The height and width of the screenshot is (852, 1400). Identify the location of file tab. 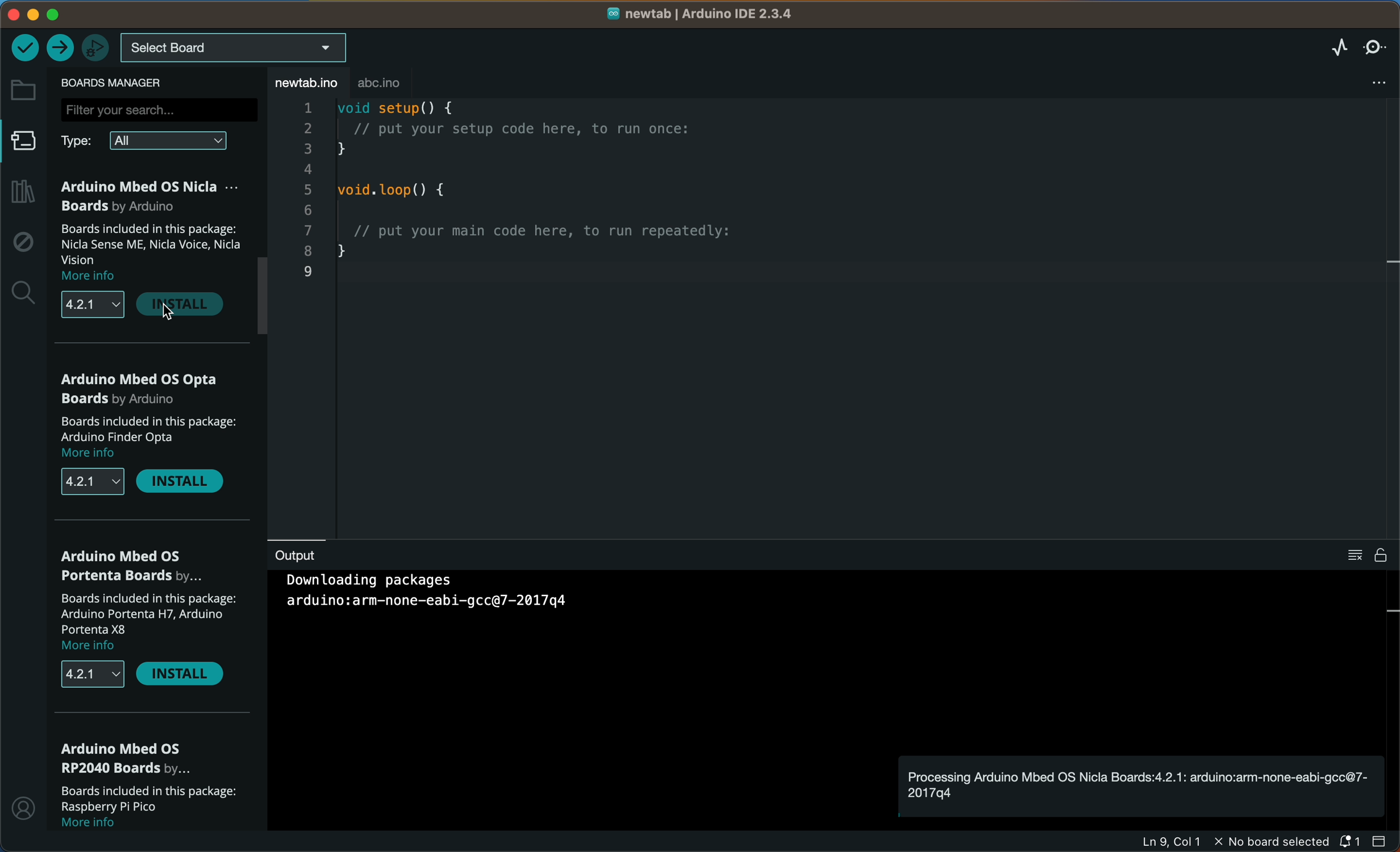
(307, 83).